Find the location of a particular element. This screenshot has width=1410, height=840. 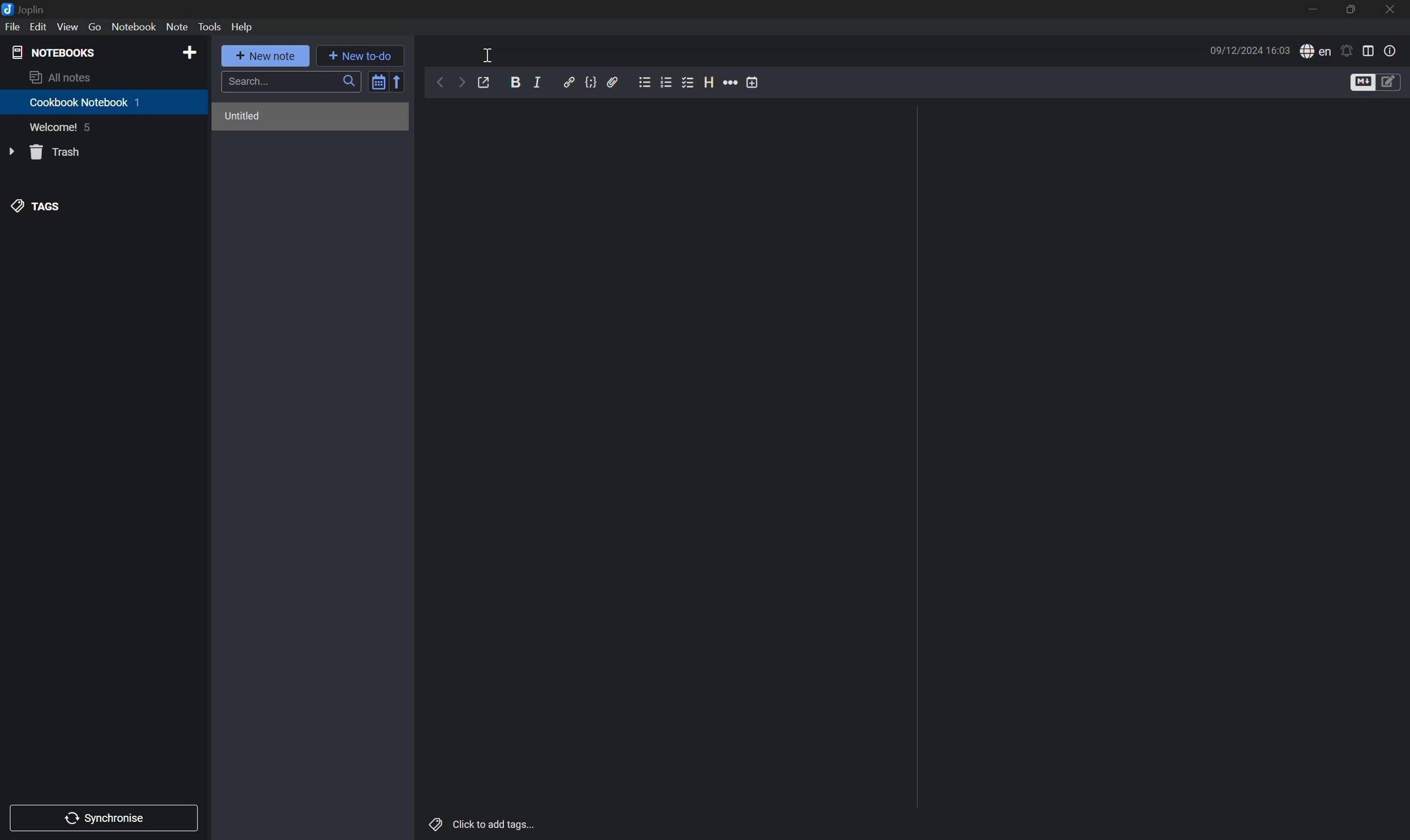

Toggle sort order field is located at coordinates (377, 84).